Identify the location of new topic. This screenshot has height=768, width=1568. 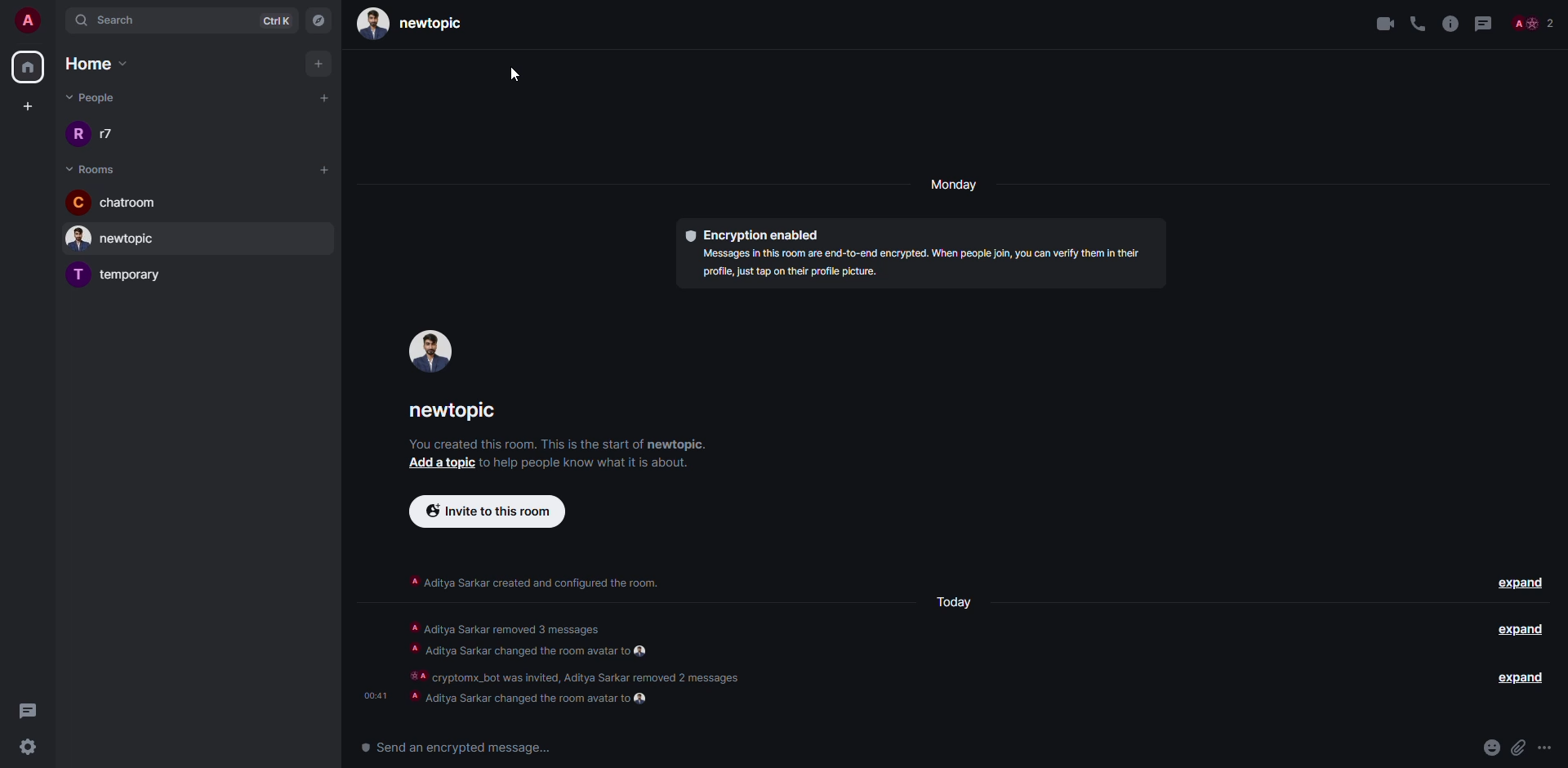
(116, 240).